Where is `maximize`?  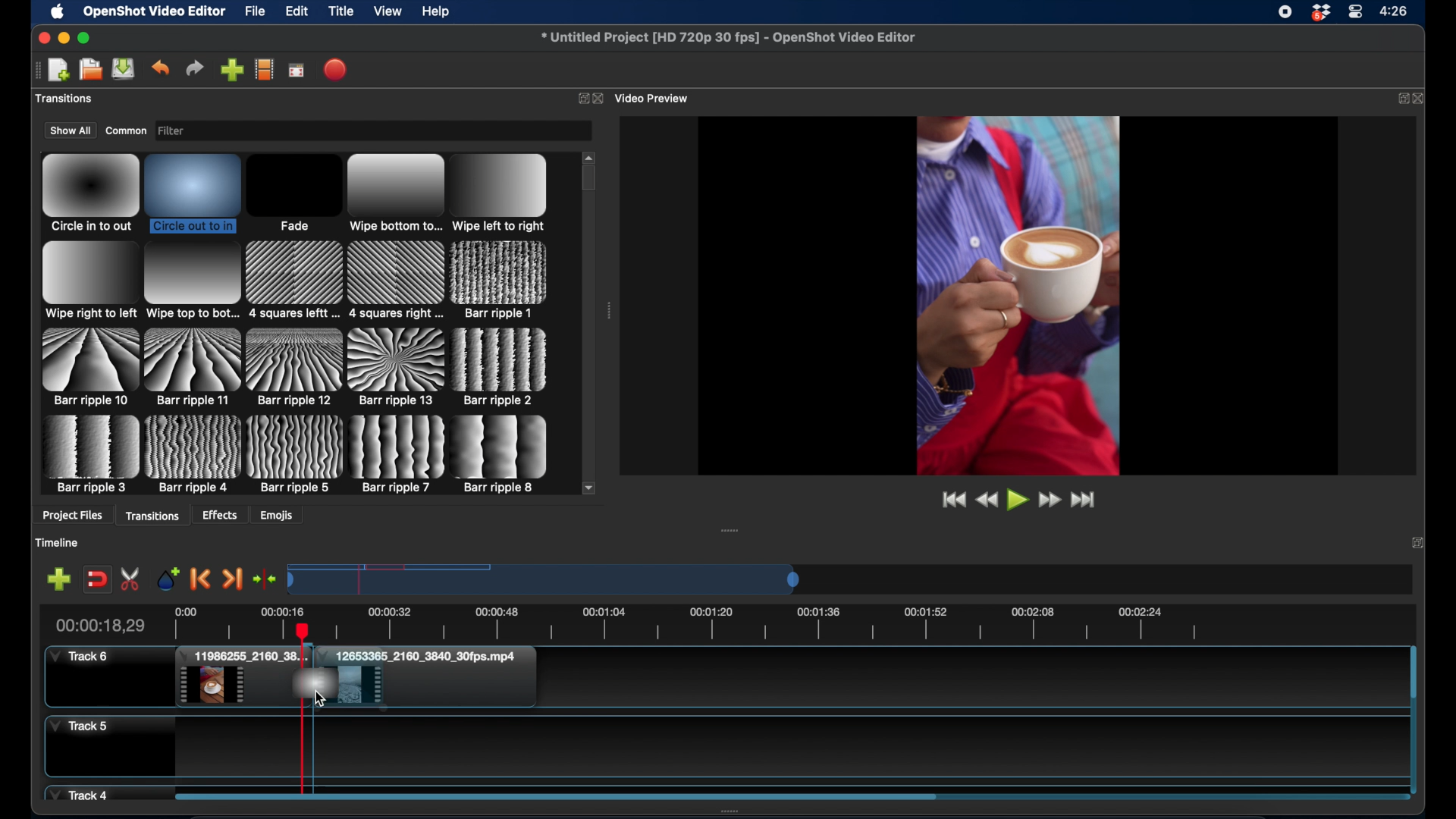
maximize is located at coordinates (84, 38).